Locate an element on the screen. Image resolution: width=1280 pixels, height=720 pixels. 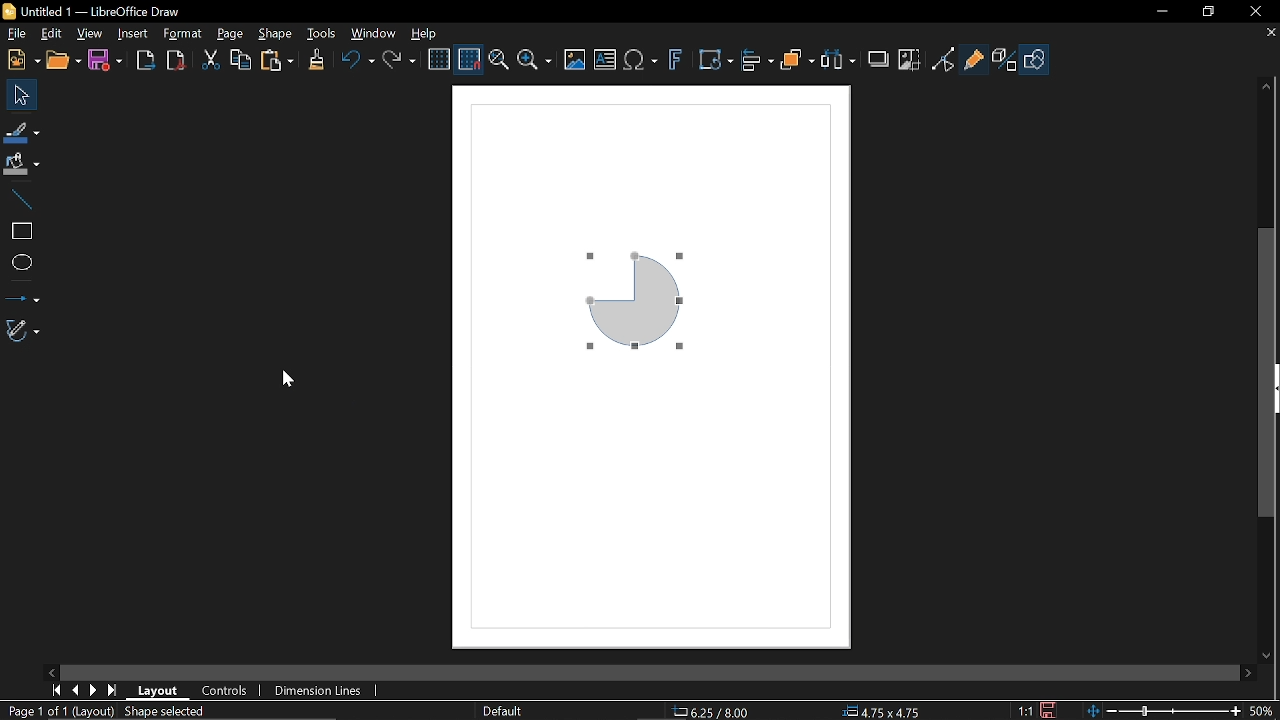
cursor is located at coordinates (299, 376).